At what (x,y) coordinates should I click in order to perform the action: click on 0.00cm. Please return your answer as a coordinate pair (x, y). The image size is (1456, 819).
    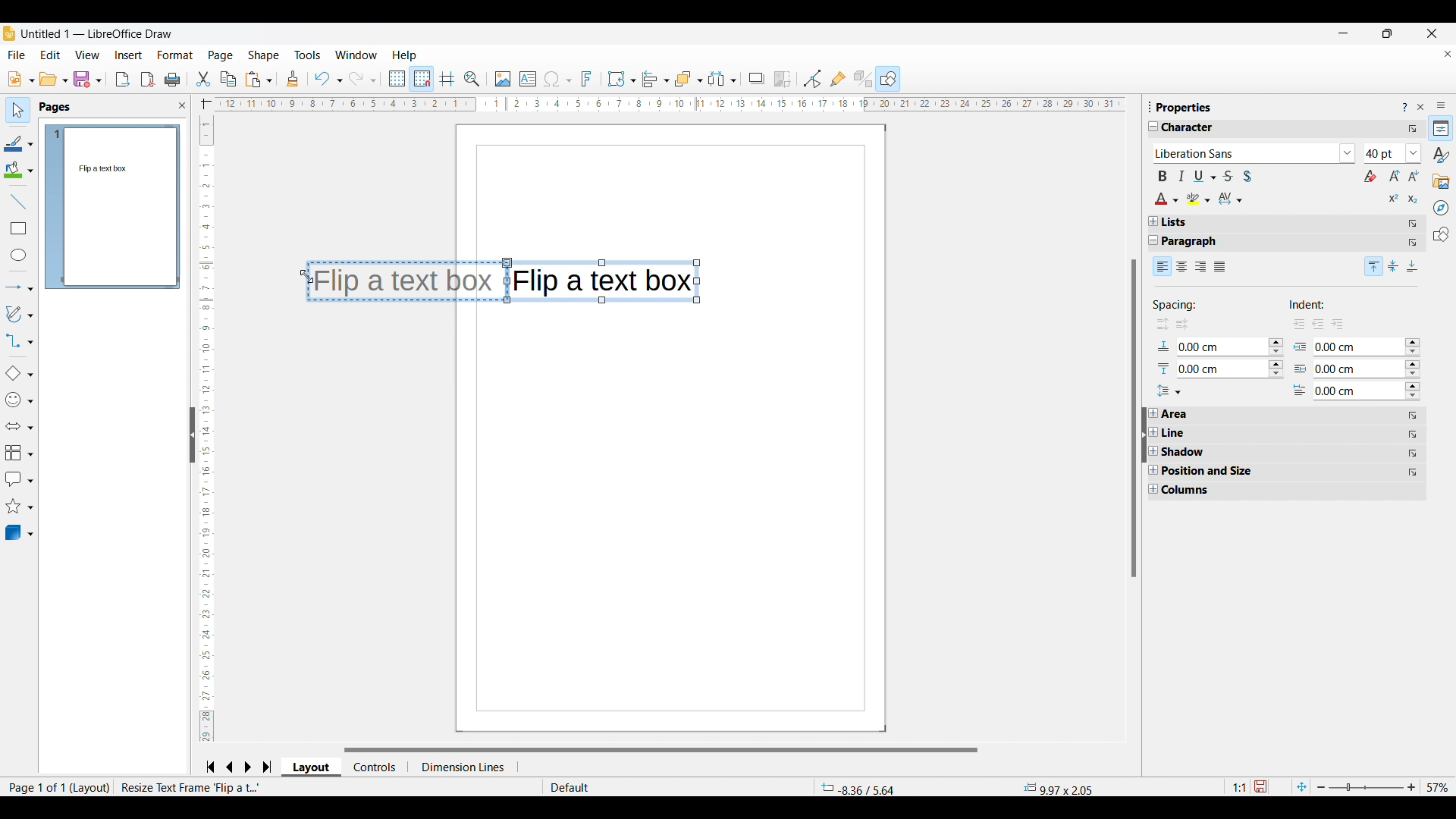
    Looking at the image, I should click on (1216, 368).